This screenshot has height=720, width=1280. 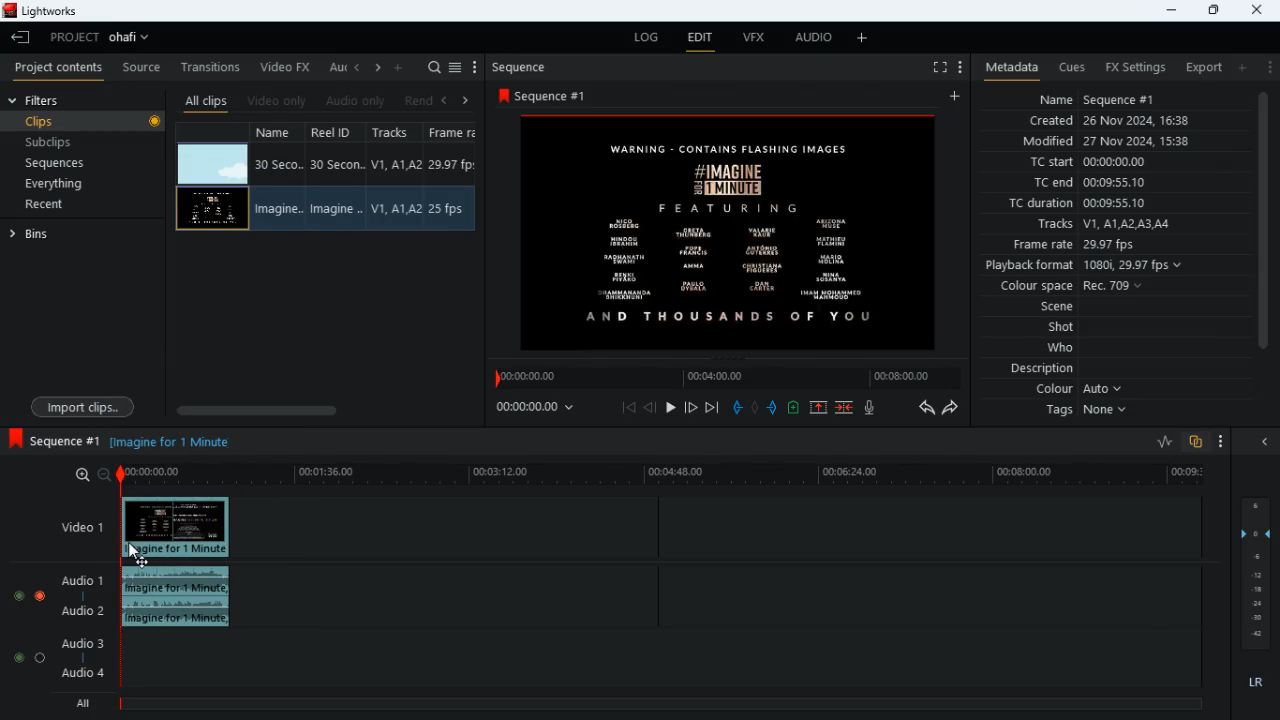 I want to click on backwards, so click(x=925, y=408).